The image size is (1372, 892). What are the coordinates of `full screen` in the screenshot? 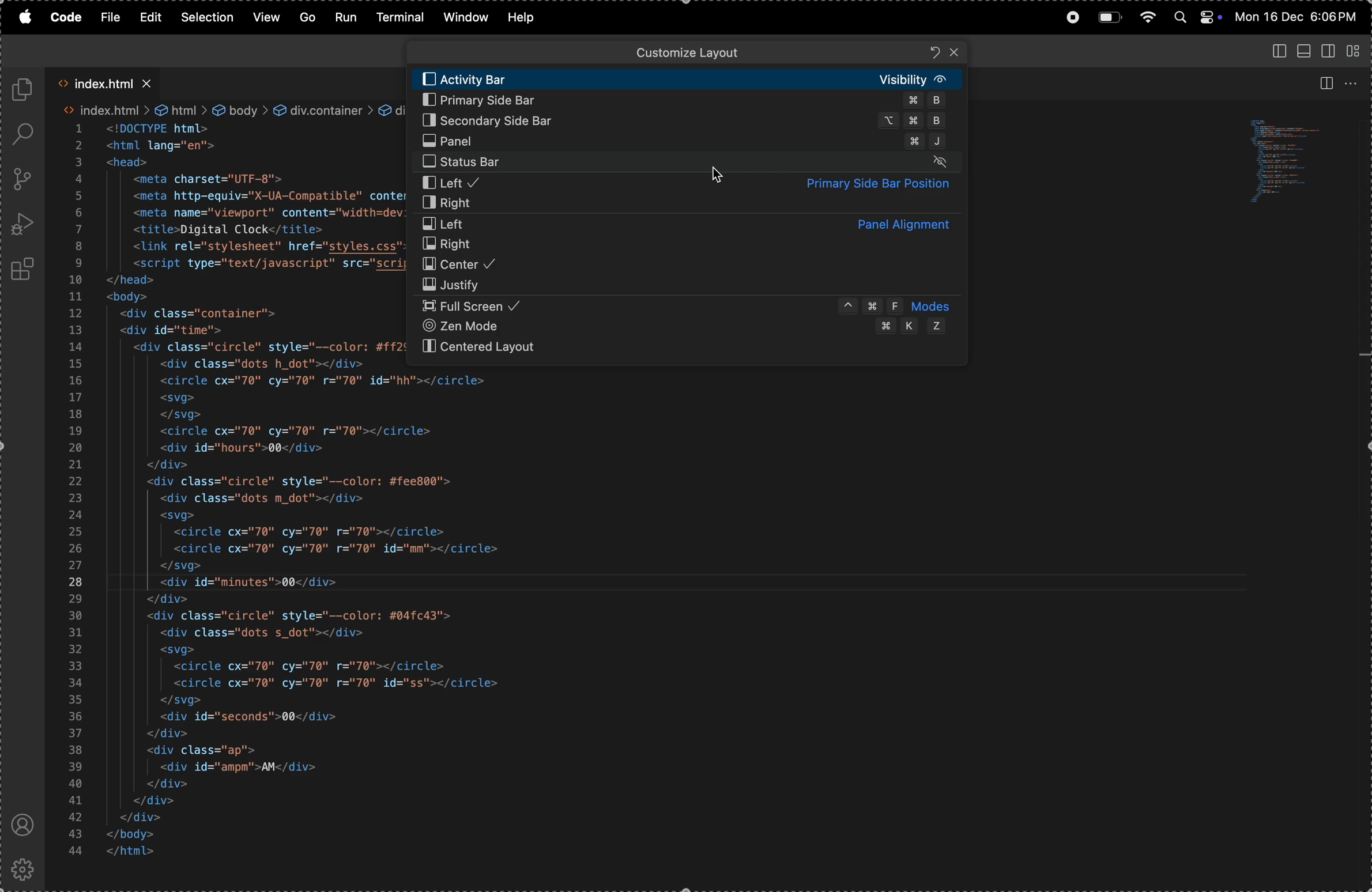 It's located at (687, 304).